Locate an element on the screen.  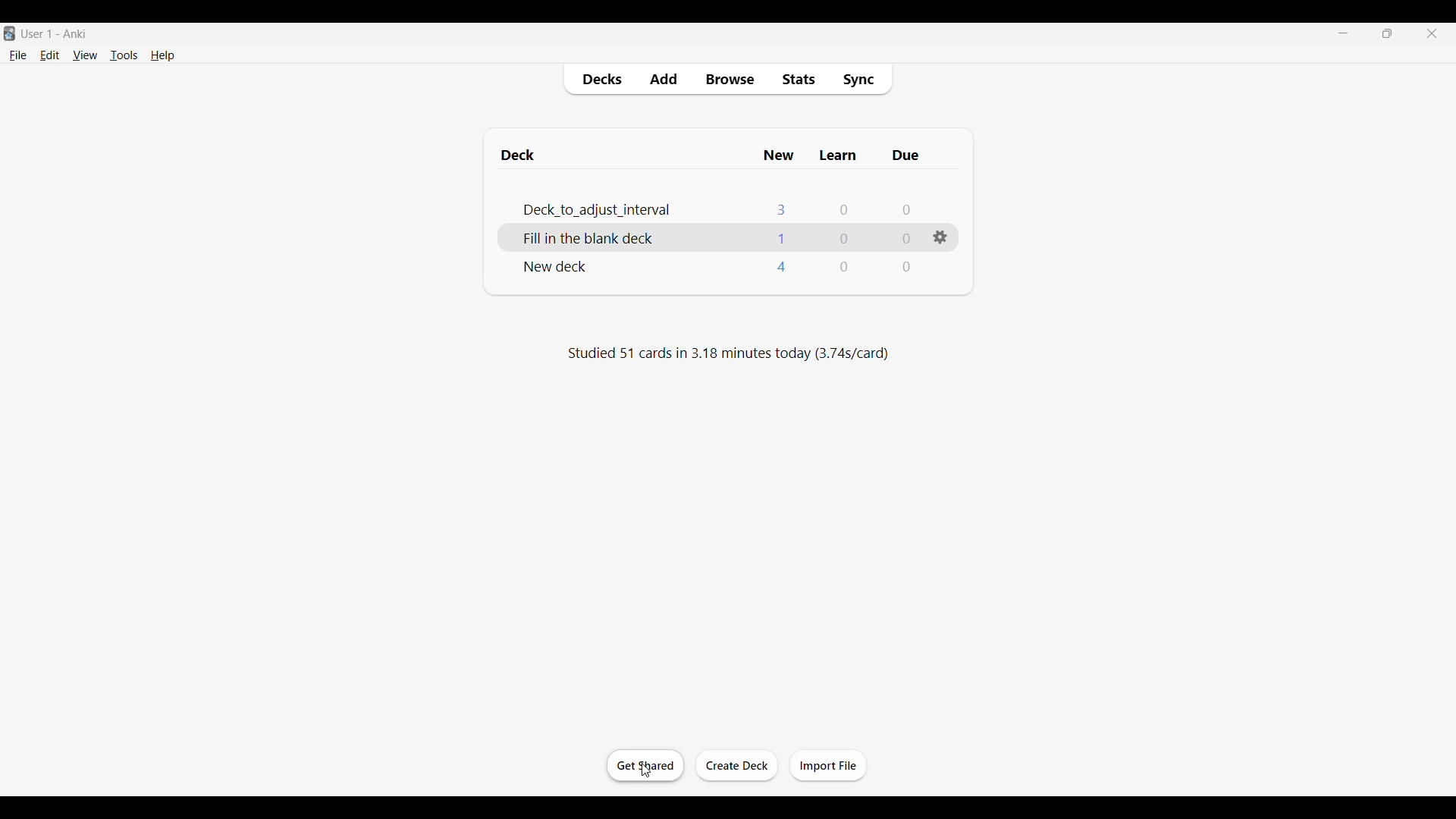
Show interface in a smaller tab is located at coordinates (1387, 33).